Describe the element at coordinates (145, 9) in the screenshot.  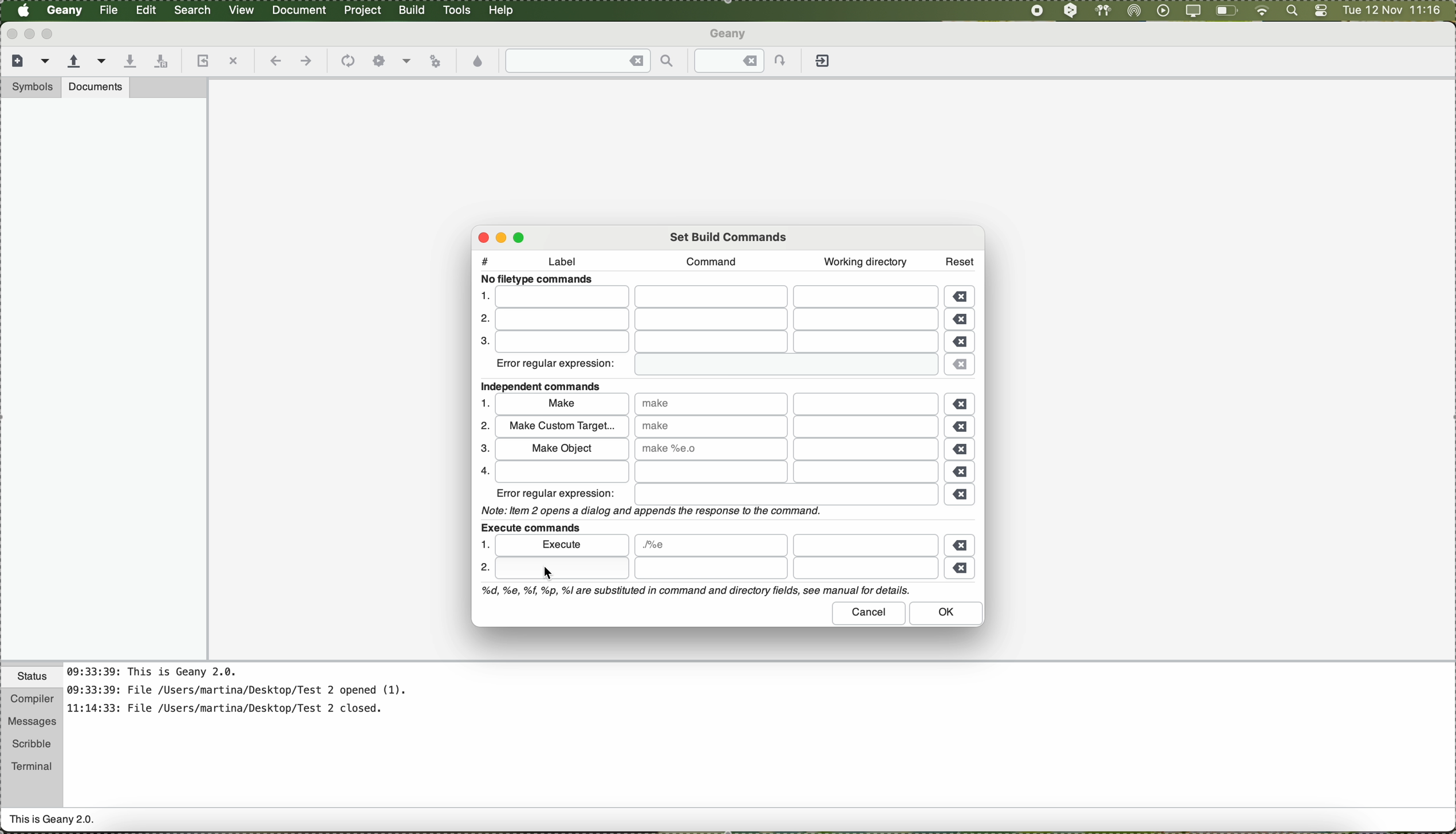
I see `edit` at that location.